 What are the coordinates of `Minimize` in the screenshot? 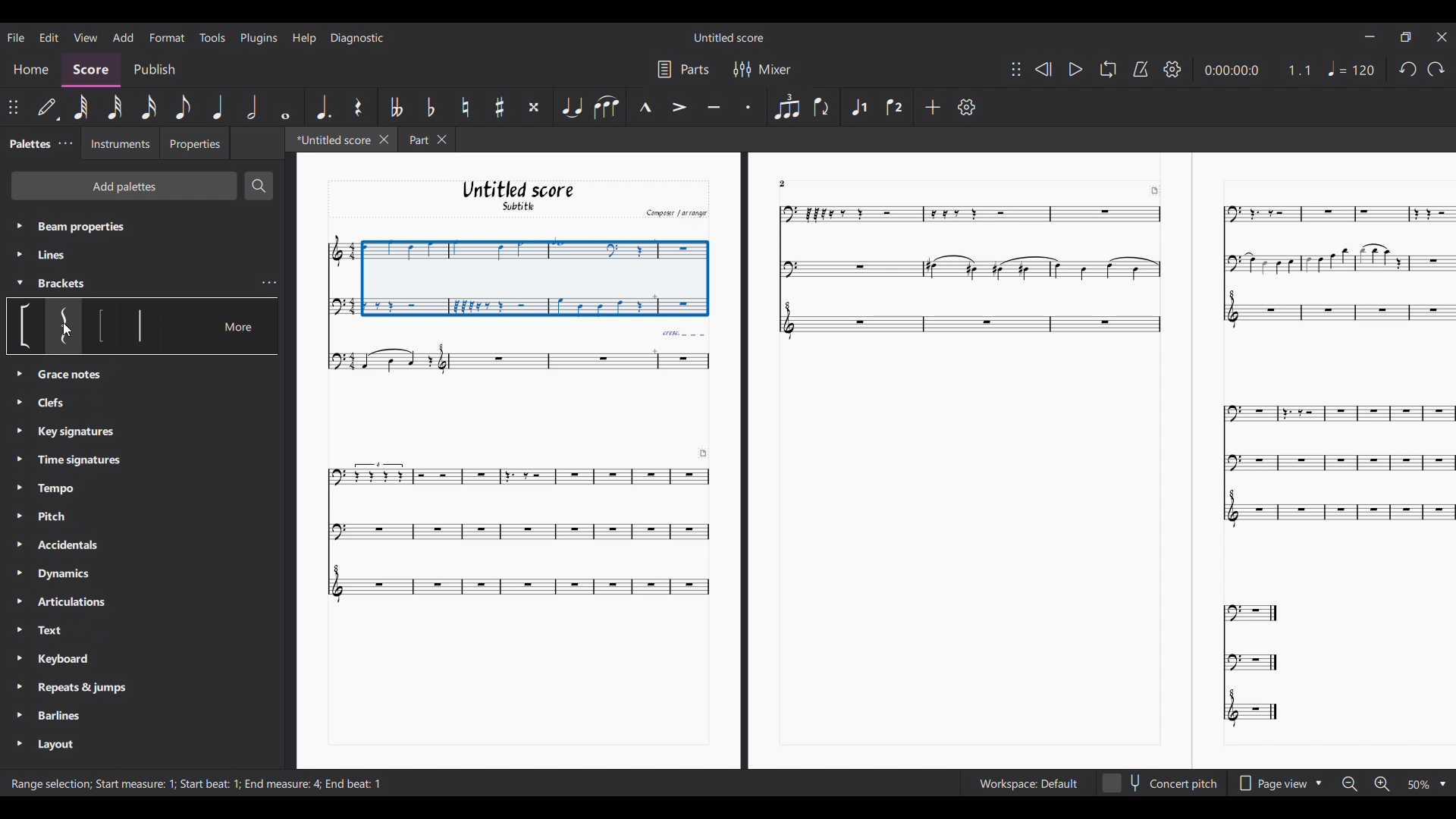 It's located at (1370, 36).